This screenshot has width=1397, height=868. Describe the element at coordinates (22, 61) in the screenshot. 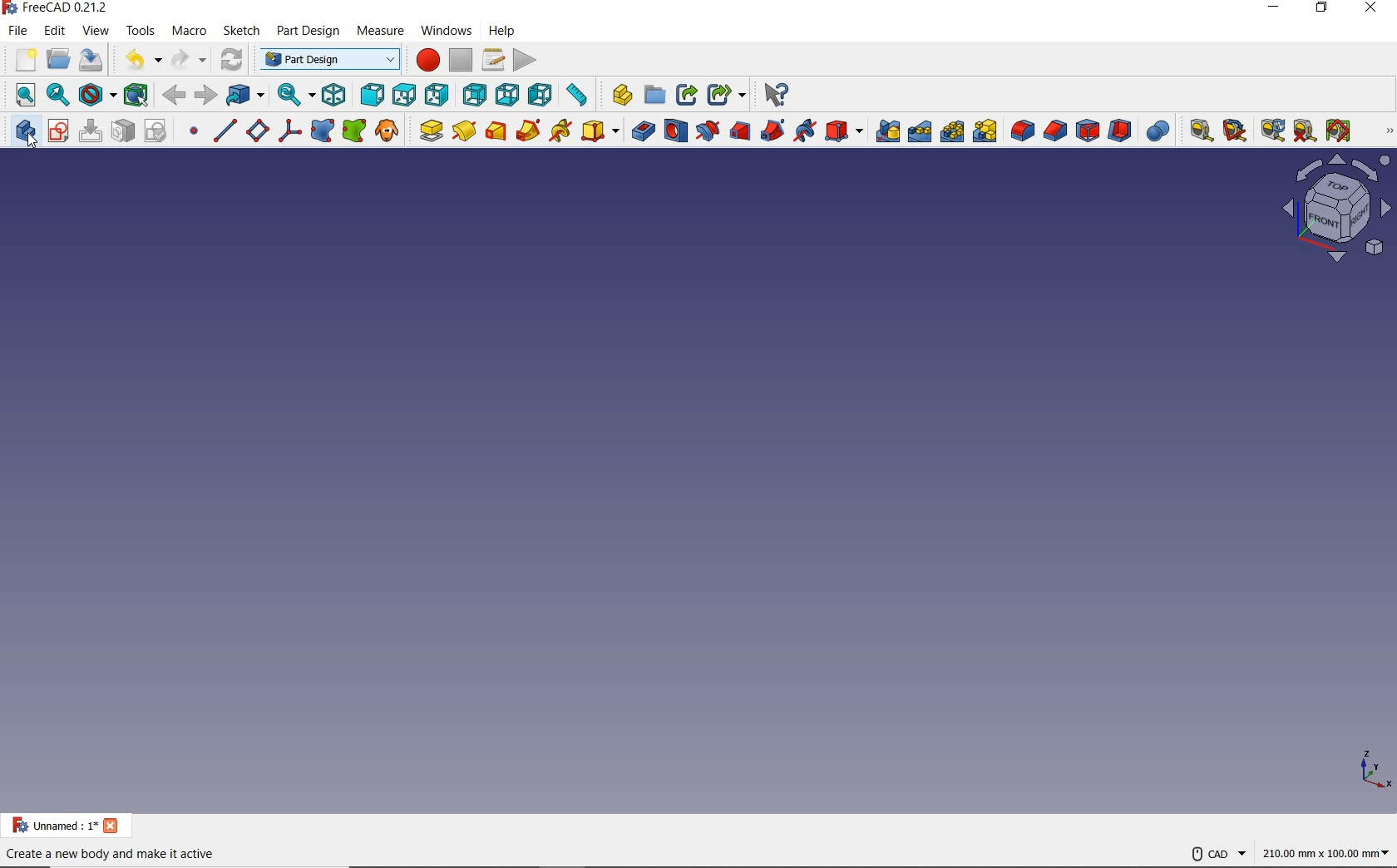

I see `new` at that location.